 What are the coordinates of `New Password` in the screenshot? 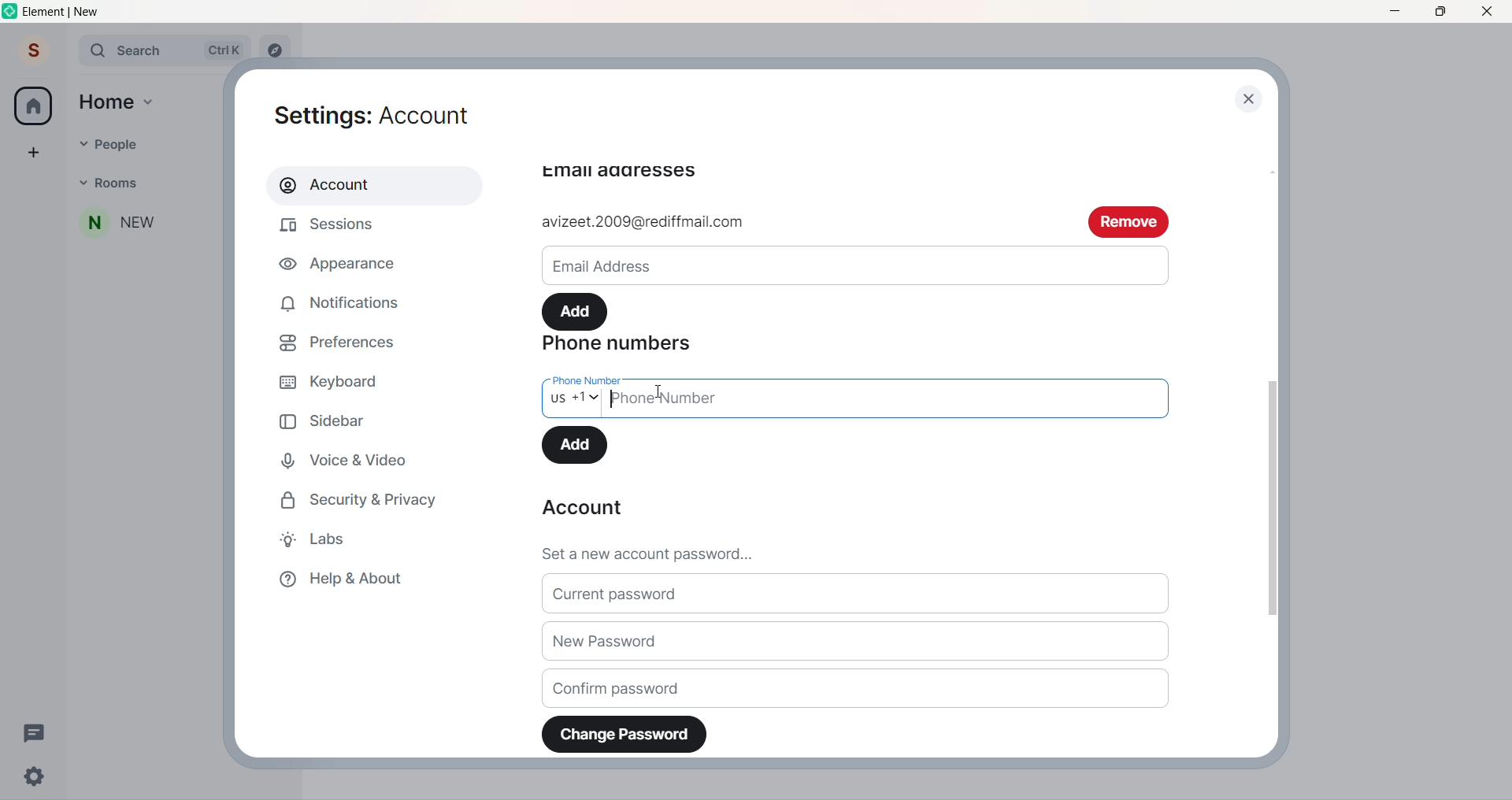 It's located at (857, 643).